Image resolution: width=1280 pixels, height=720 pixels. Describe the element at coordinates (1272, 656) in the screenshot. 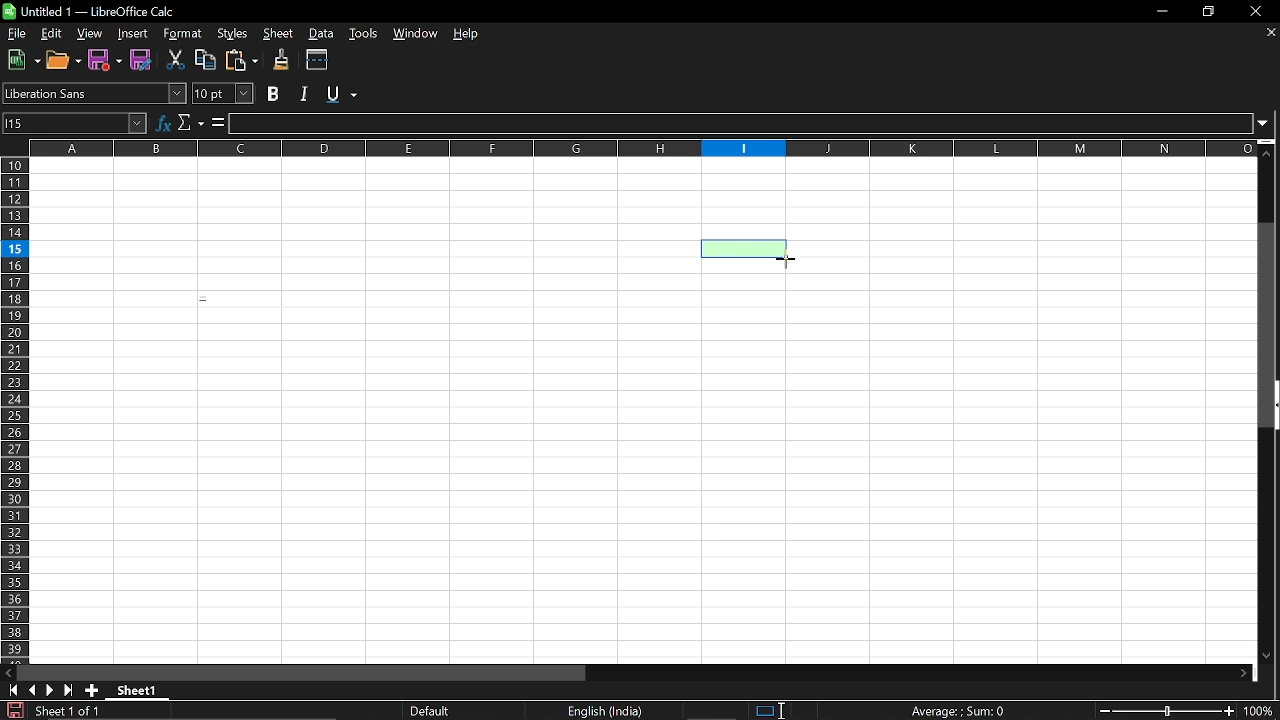

I see `Move down` at that location.